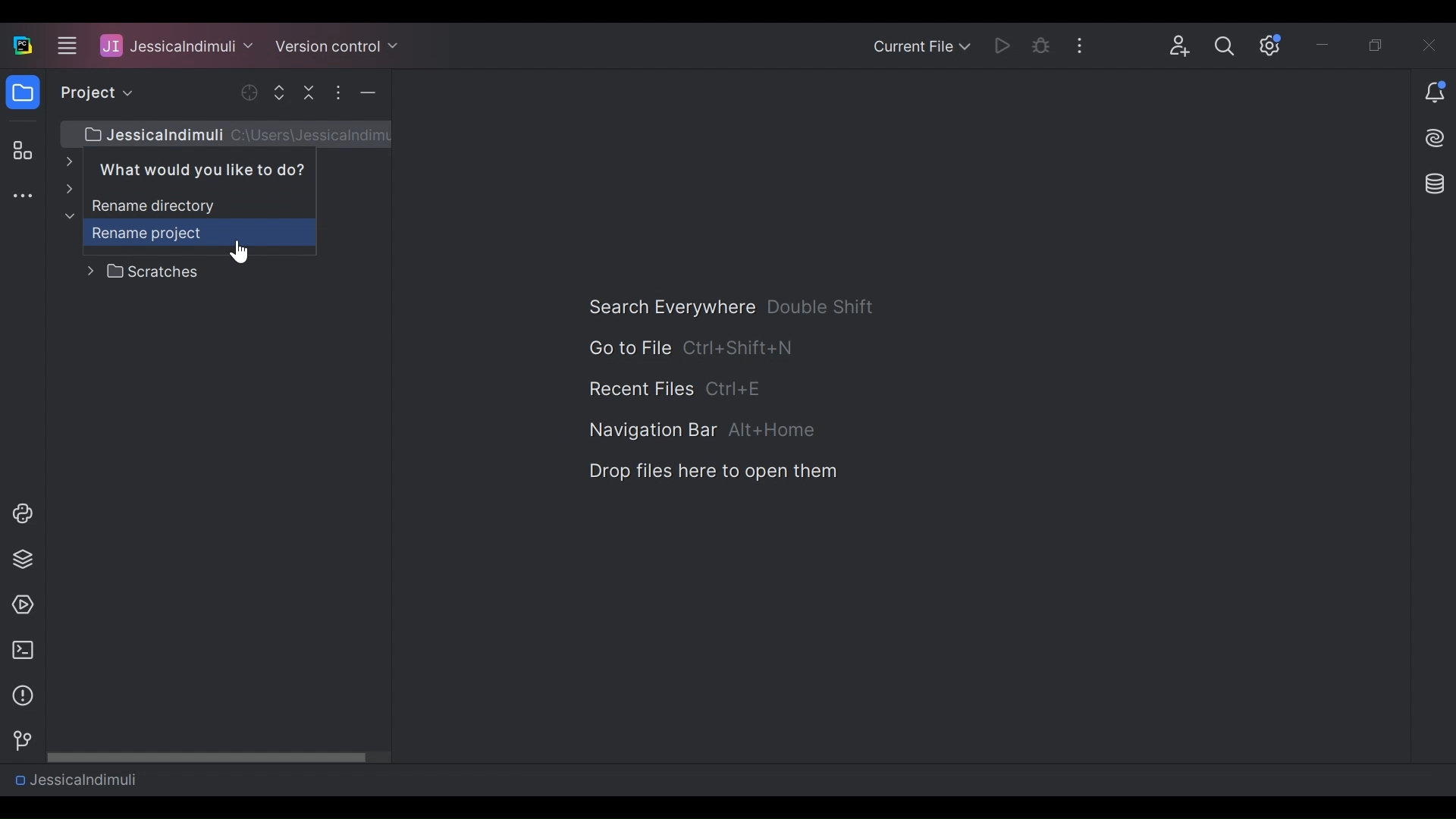 This screenshot has width=1456, height=819. What do you see at coordinates (1084, 44) in the screenshot?
I see `More Options` at bounding box center [1084, 44].